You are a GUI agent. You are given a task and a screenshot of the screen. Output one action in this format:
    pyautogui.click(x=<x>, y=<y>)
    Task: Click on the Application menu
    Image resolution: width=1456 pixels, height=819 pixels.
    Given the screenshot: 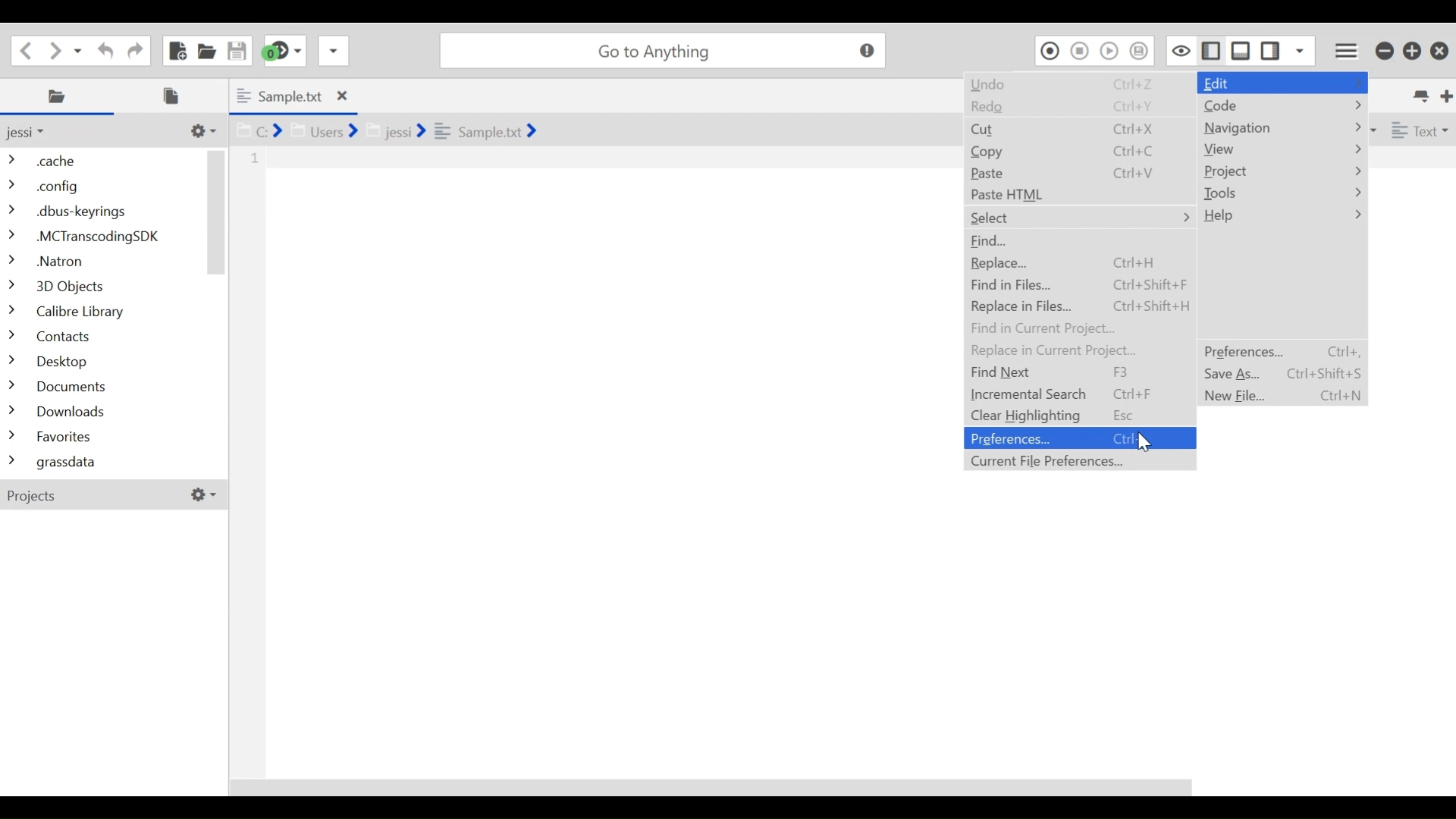 What is the action you would take?
    pyautogui.click(x=1348, y=49)
    